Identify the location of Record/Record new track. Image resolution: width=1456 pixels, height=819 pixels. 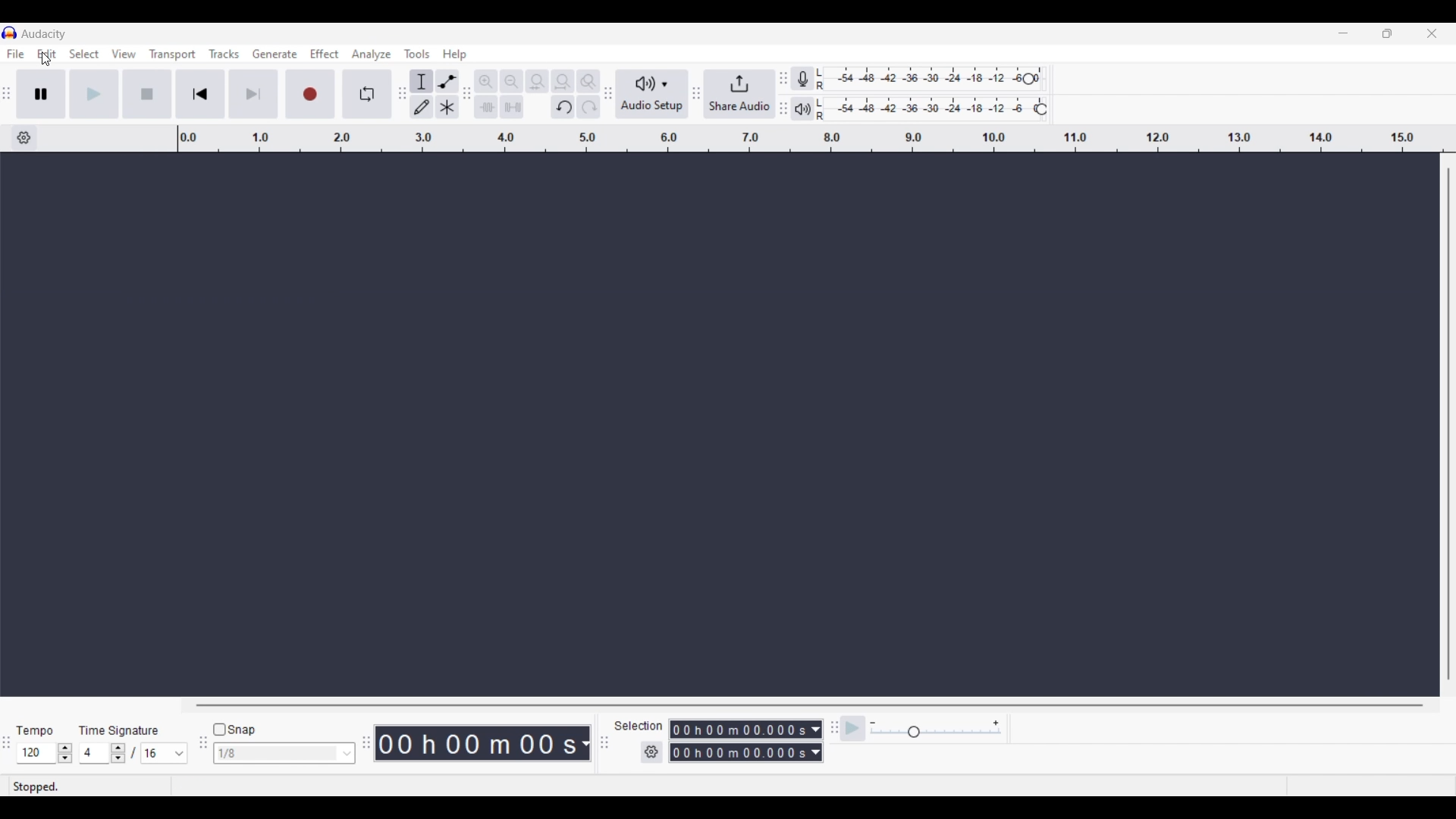
(311, 93).